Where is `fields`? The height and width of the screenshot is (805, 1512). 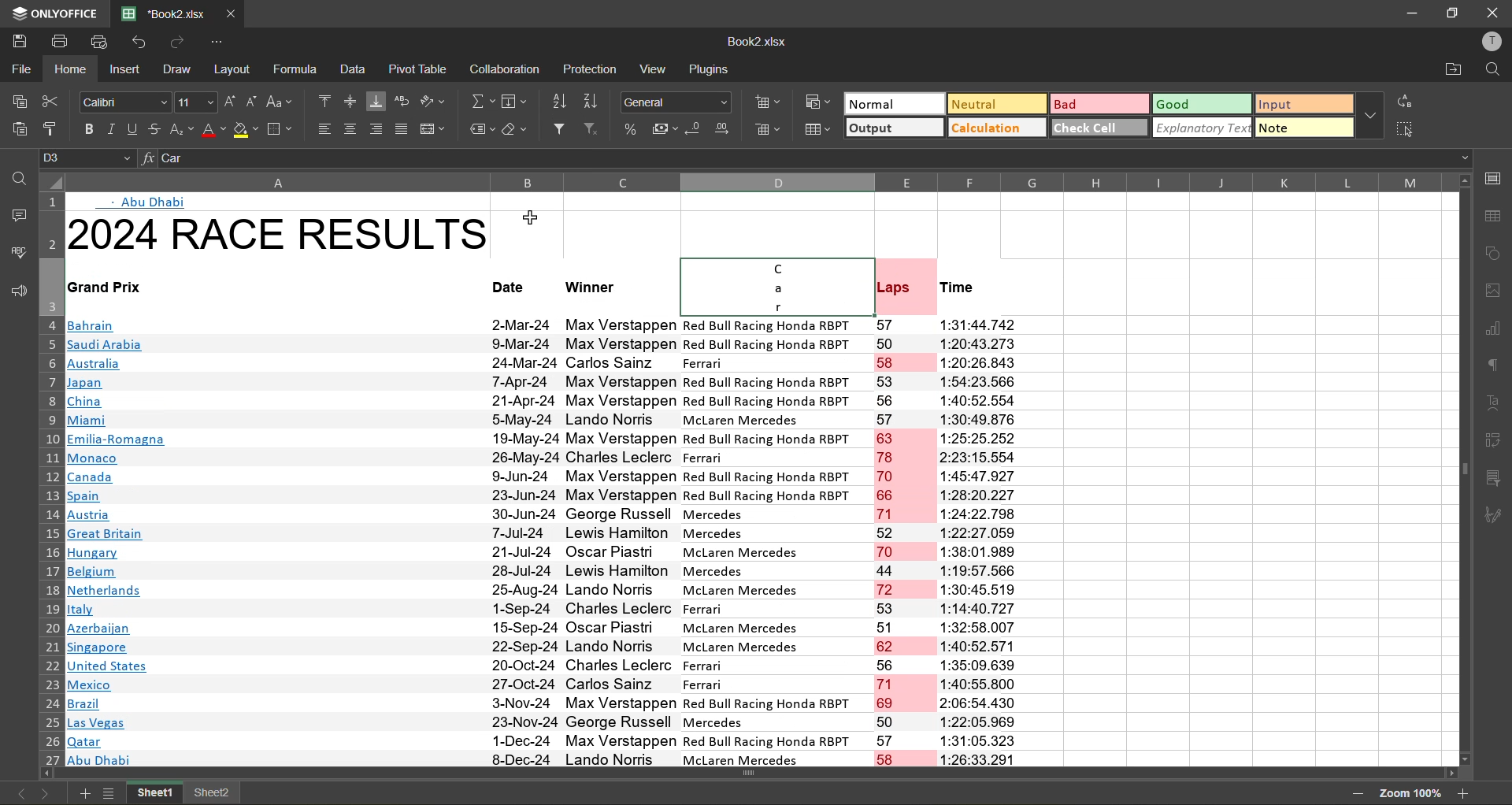
fields is located at coordinates (519, 103).